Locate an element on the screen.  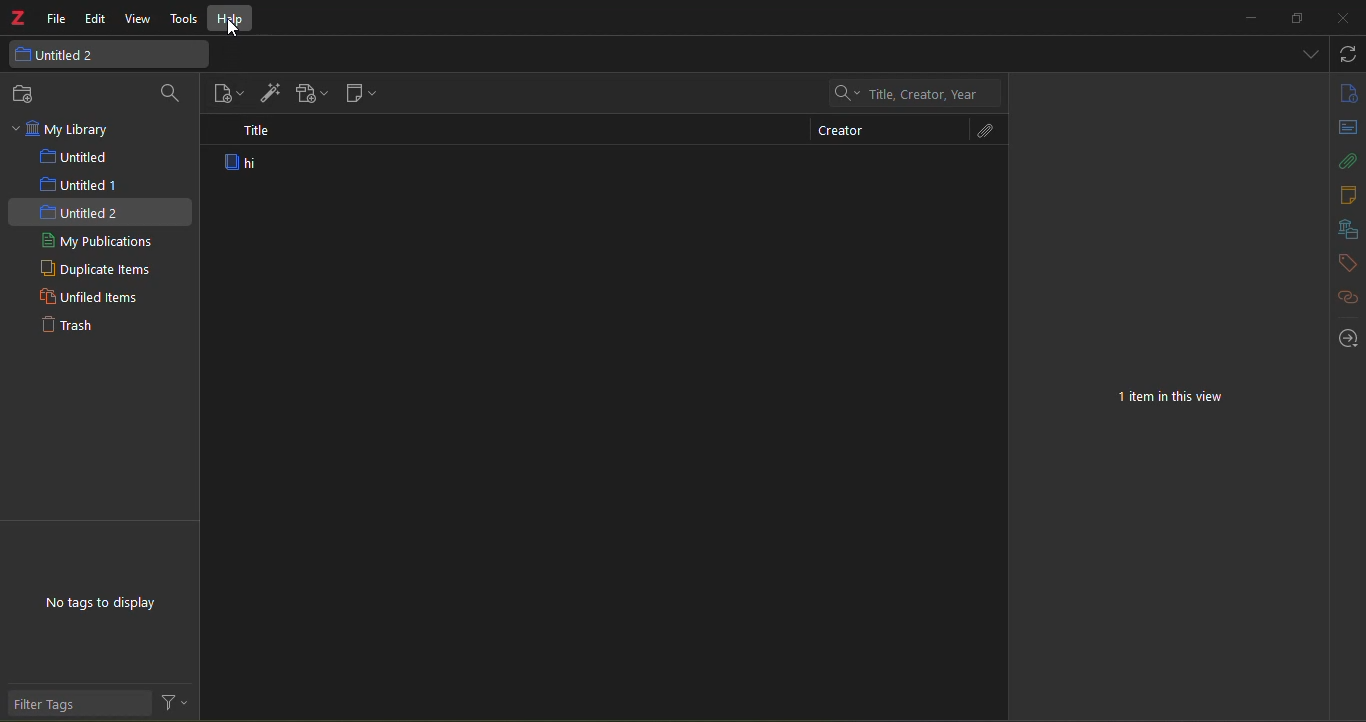
filter is located at coordinates (174, 702).